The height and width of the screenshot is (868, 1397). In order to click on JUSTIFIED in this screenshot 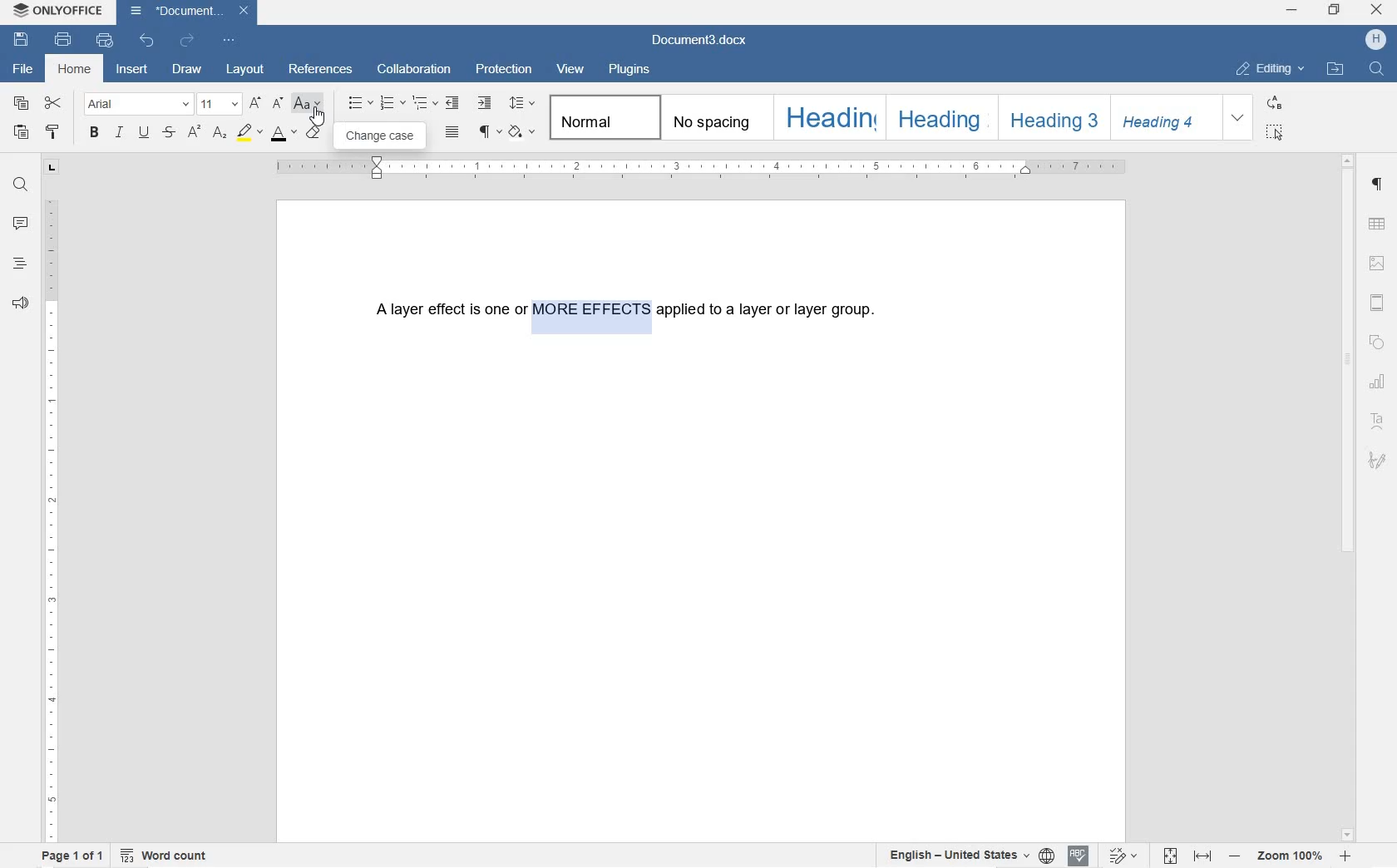, I will do `click(452, 133)`.